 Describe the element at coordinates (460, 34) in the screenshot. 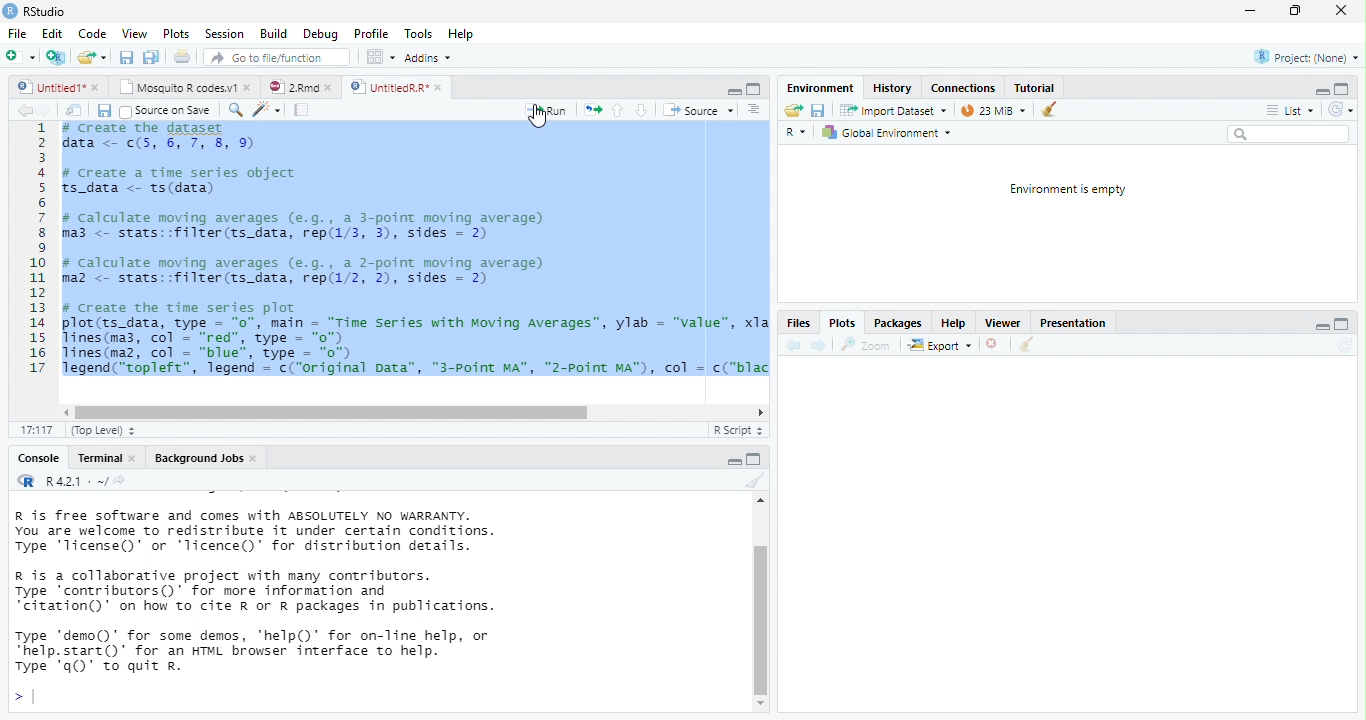

I see `Hep` at that location.